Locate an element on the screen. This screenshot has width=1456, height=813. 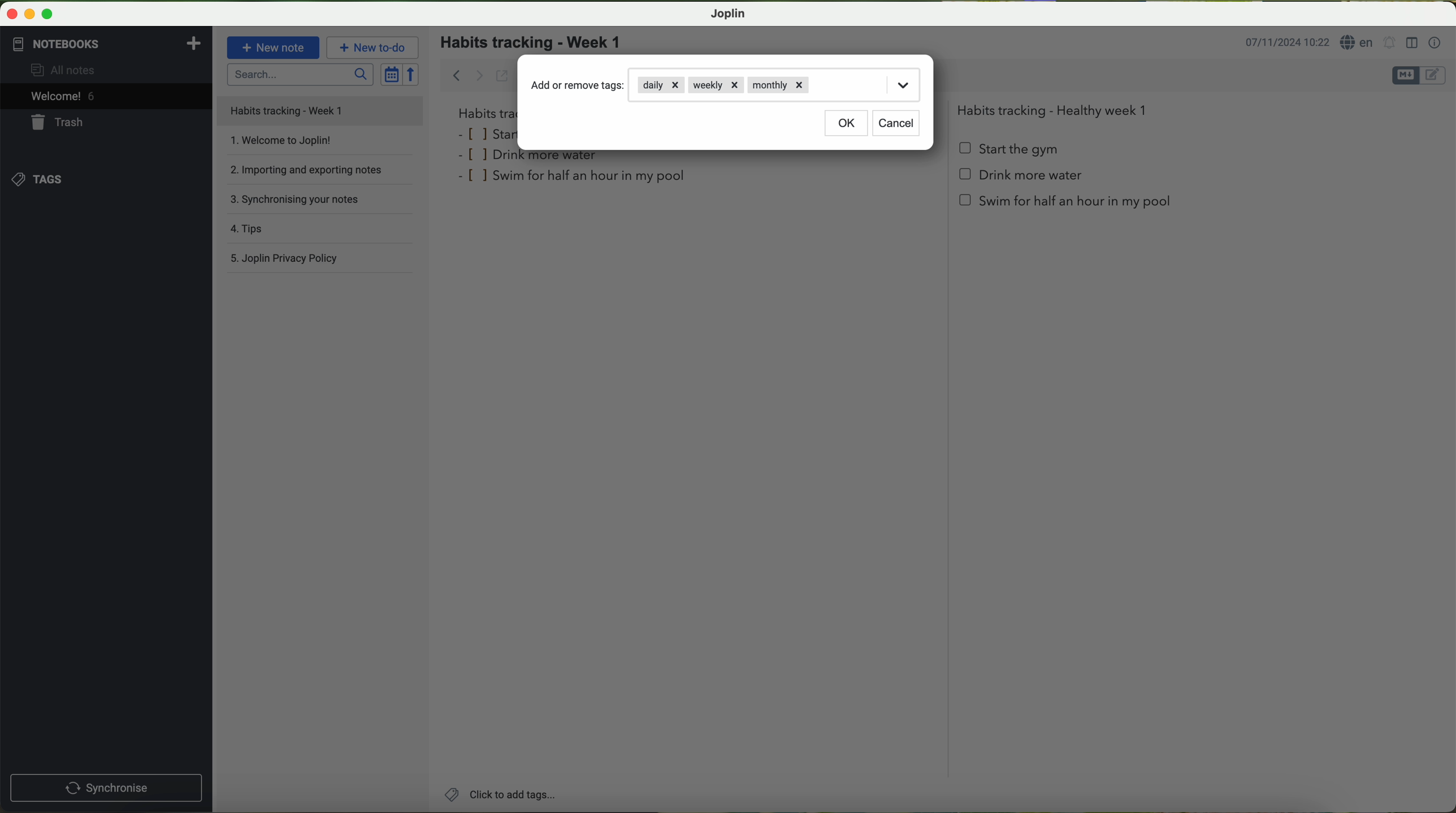
habits tra is located at coordinates (485, 113).